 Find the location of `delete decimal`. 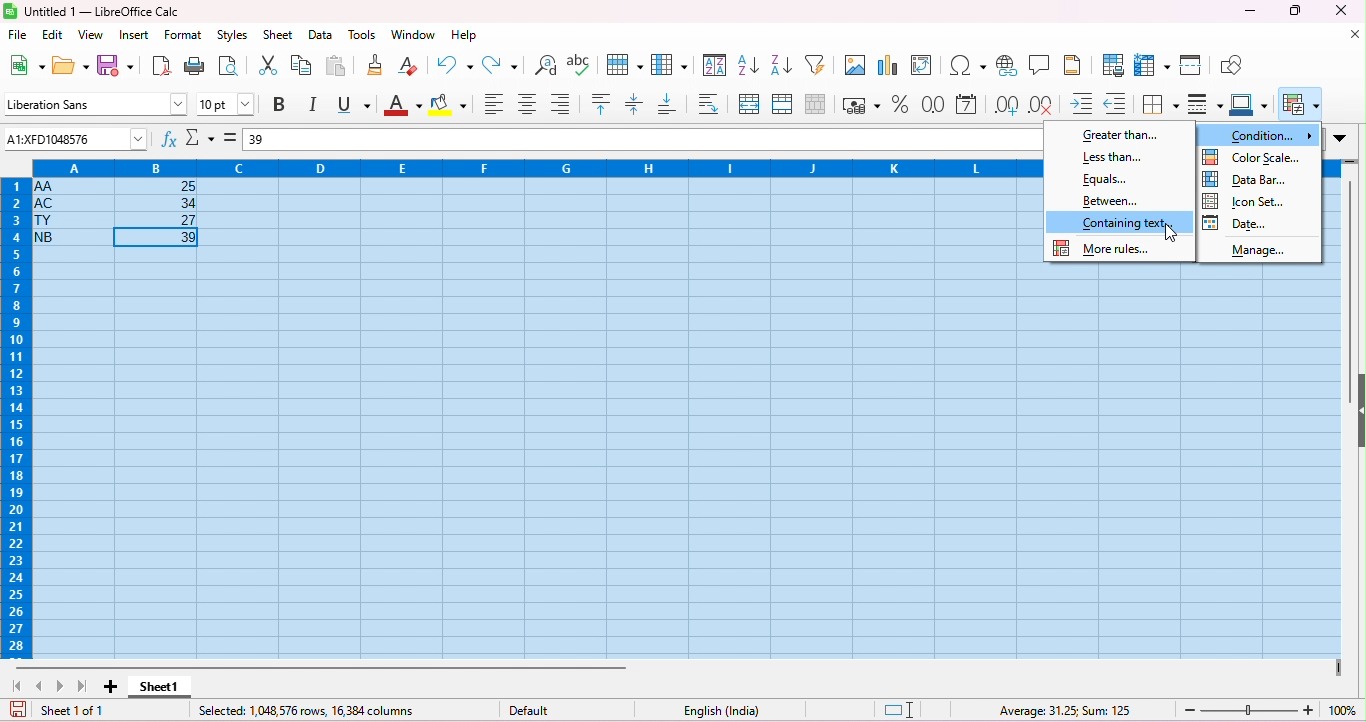

delete decimal is located at coordinates (1042, 106).